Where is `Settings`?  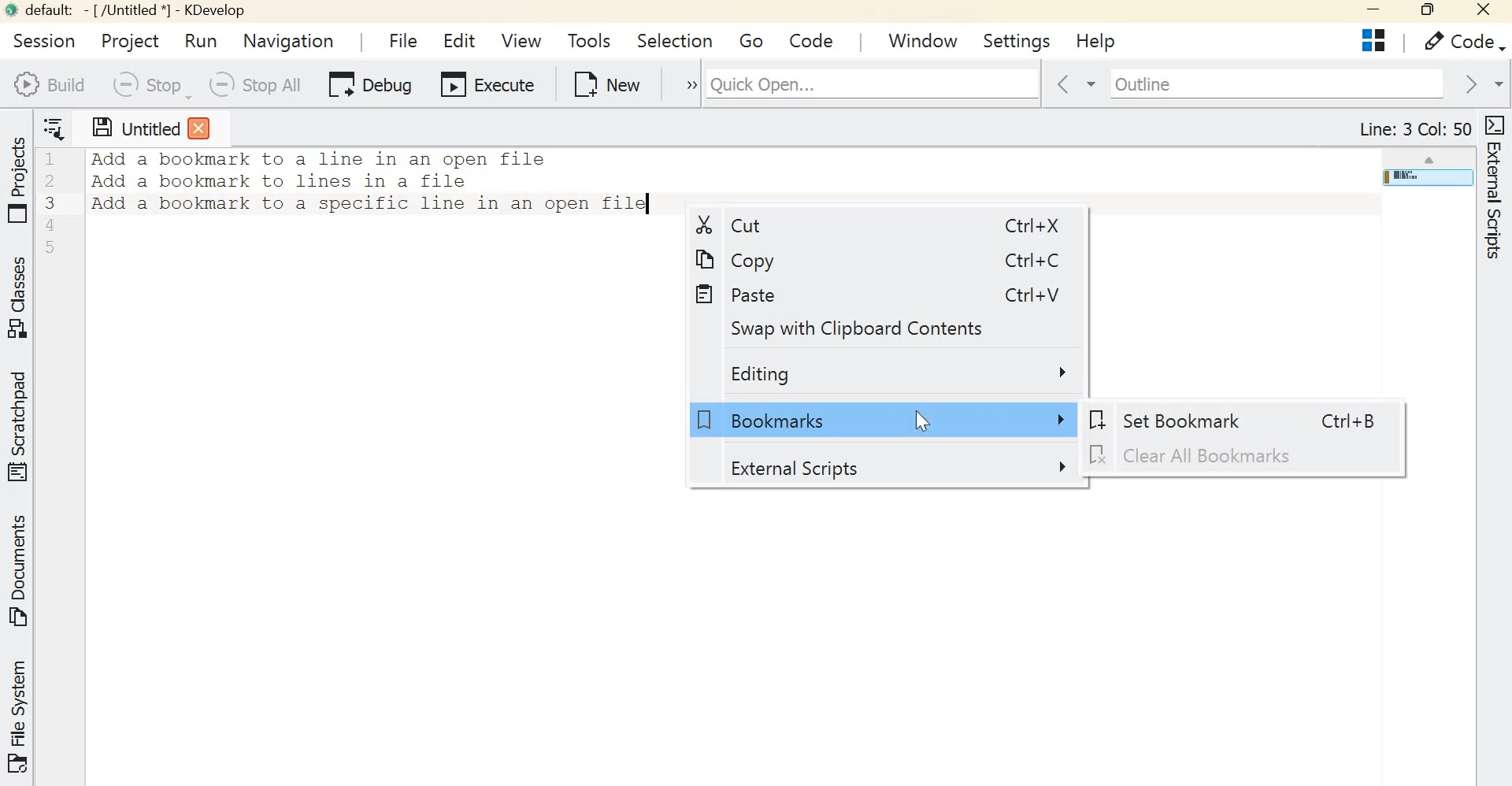 Settings is located at coordinates (1017, 39).